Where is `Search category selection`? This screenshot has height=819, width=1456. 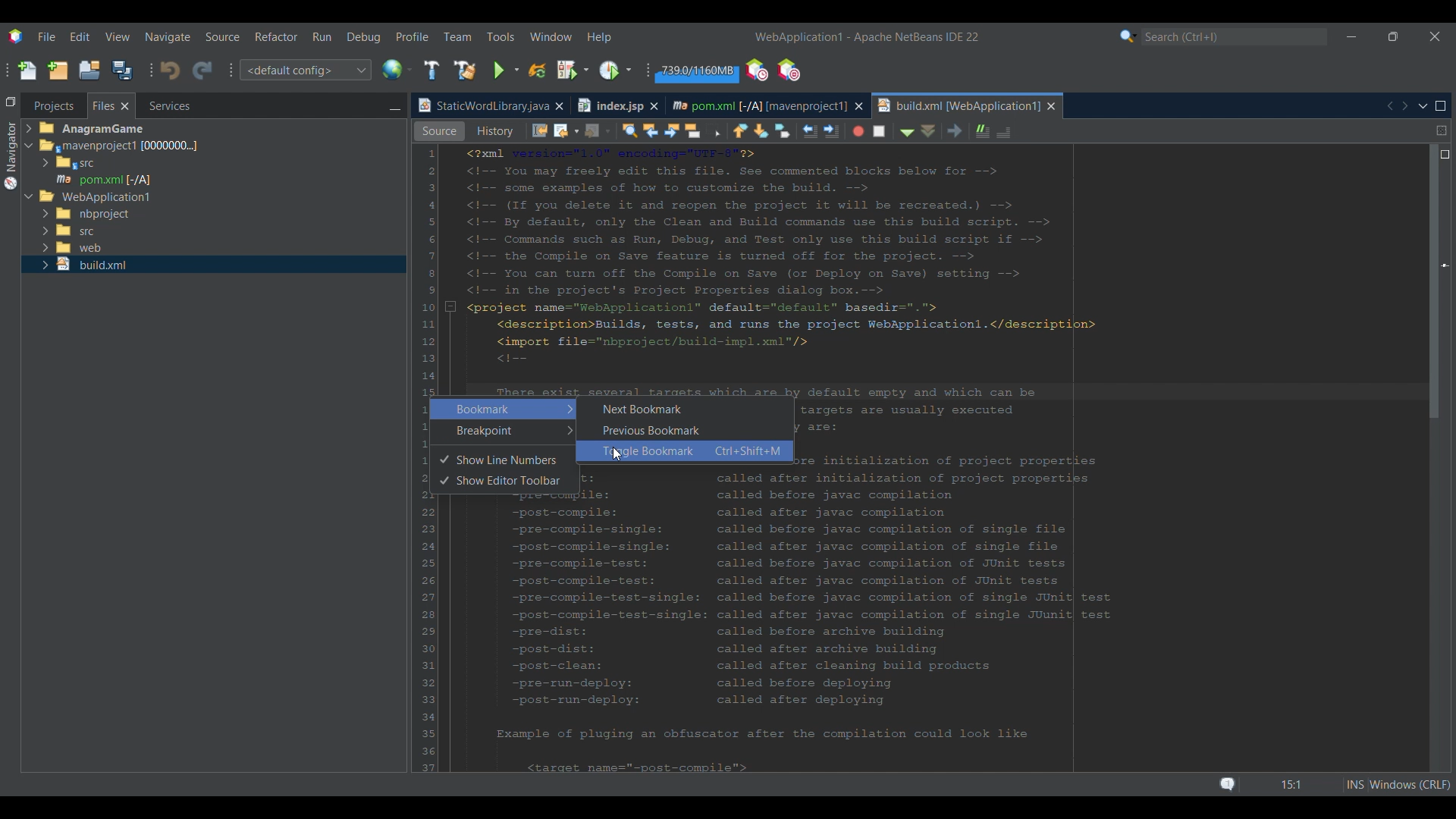
Search category selection is located at coordinates (1128, 36).